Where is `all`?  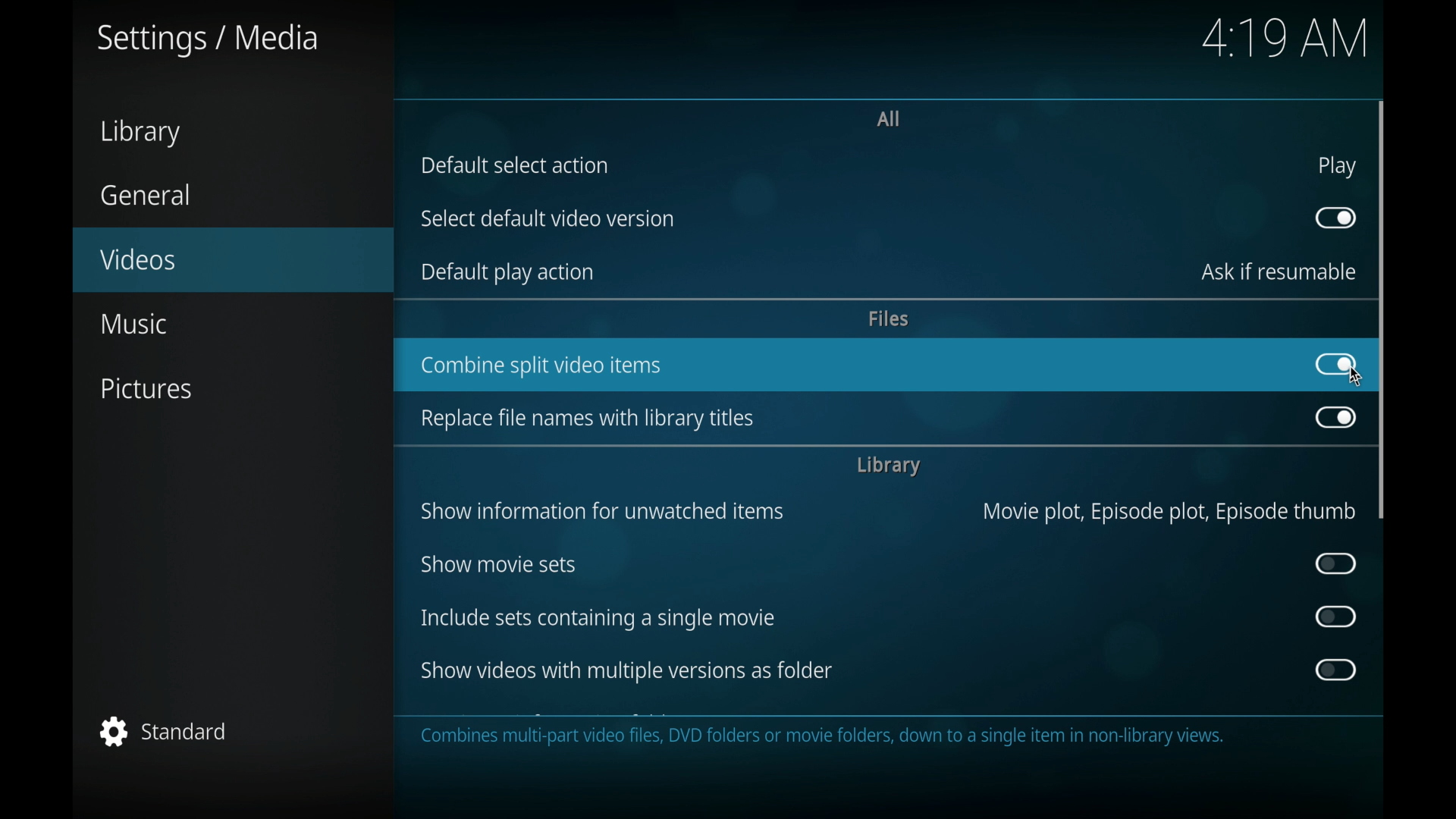 all is located at coordinates (889, 118).